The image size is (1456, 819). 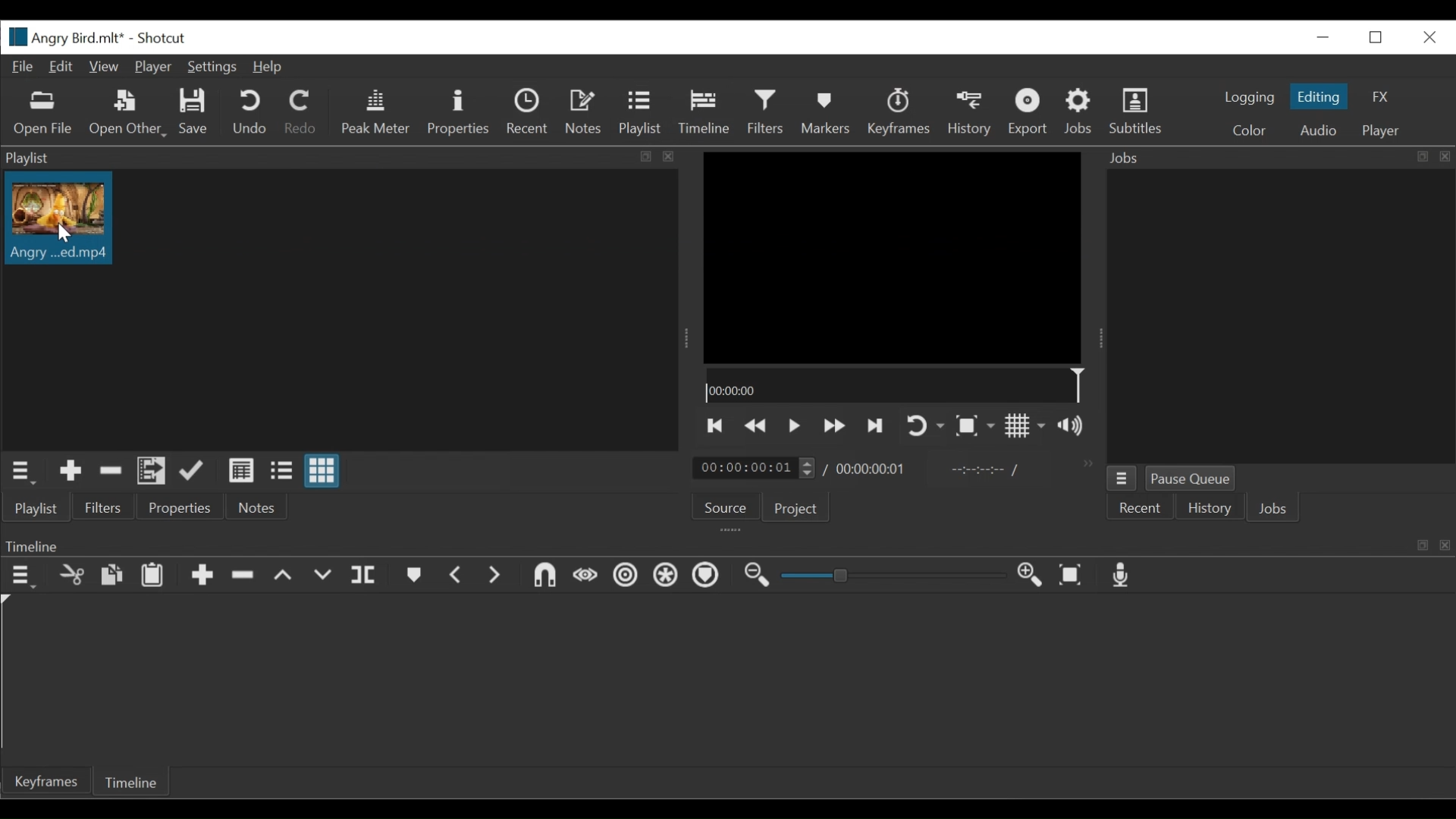 What do you see at coordinates (162, 39) in the screenshot?
I see `Shotcut` at bounding box center [162, 39].